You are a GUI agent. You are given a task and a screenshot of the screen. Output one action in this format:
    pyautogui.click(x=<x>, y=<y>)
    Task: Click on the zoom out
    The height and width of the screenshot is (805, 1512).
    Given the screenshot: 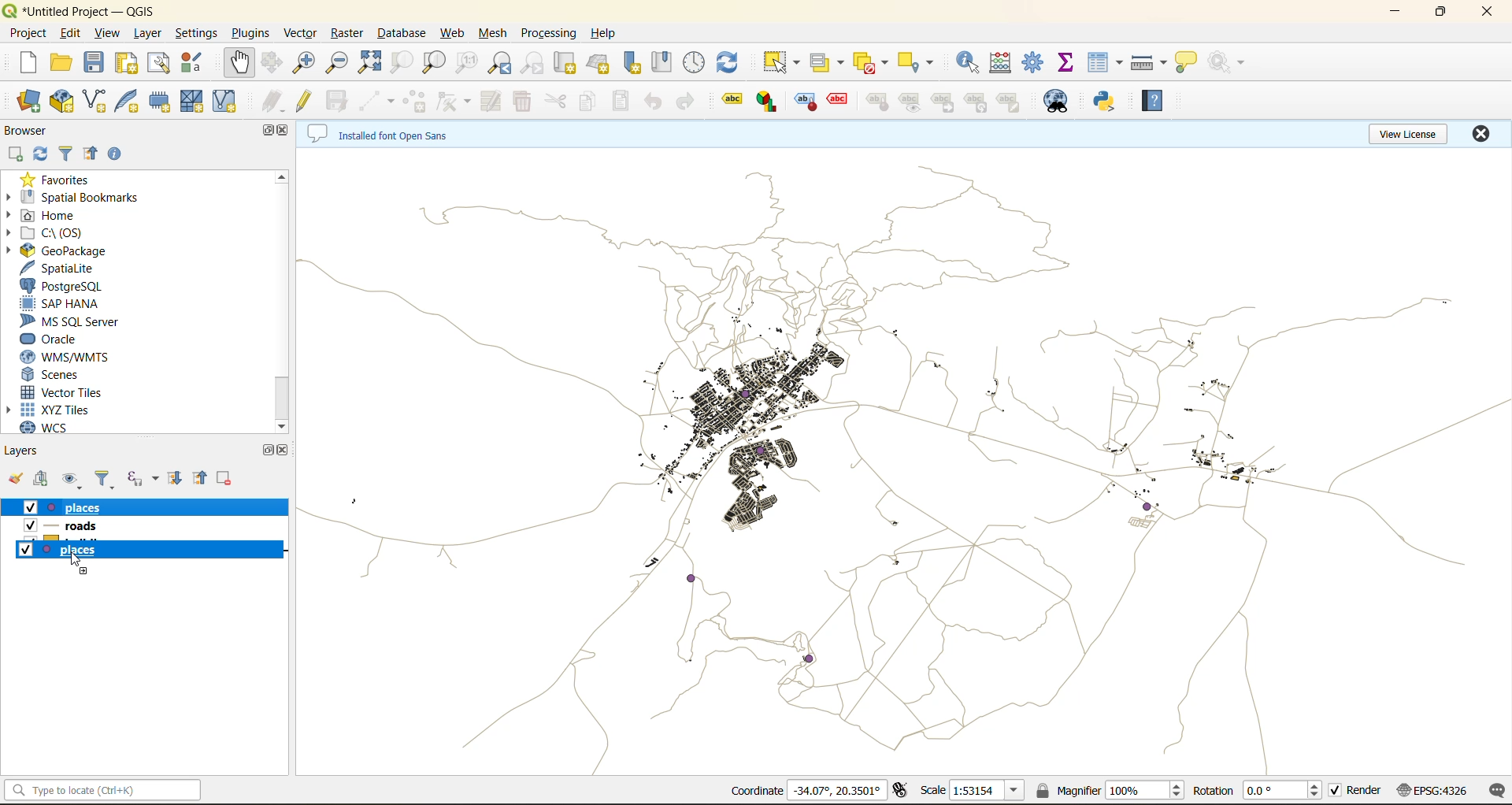 What is the action you would take?
    pyautogui.click(x=336, y=65)
    